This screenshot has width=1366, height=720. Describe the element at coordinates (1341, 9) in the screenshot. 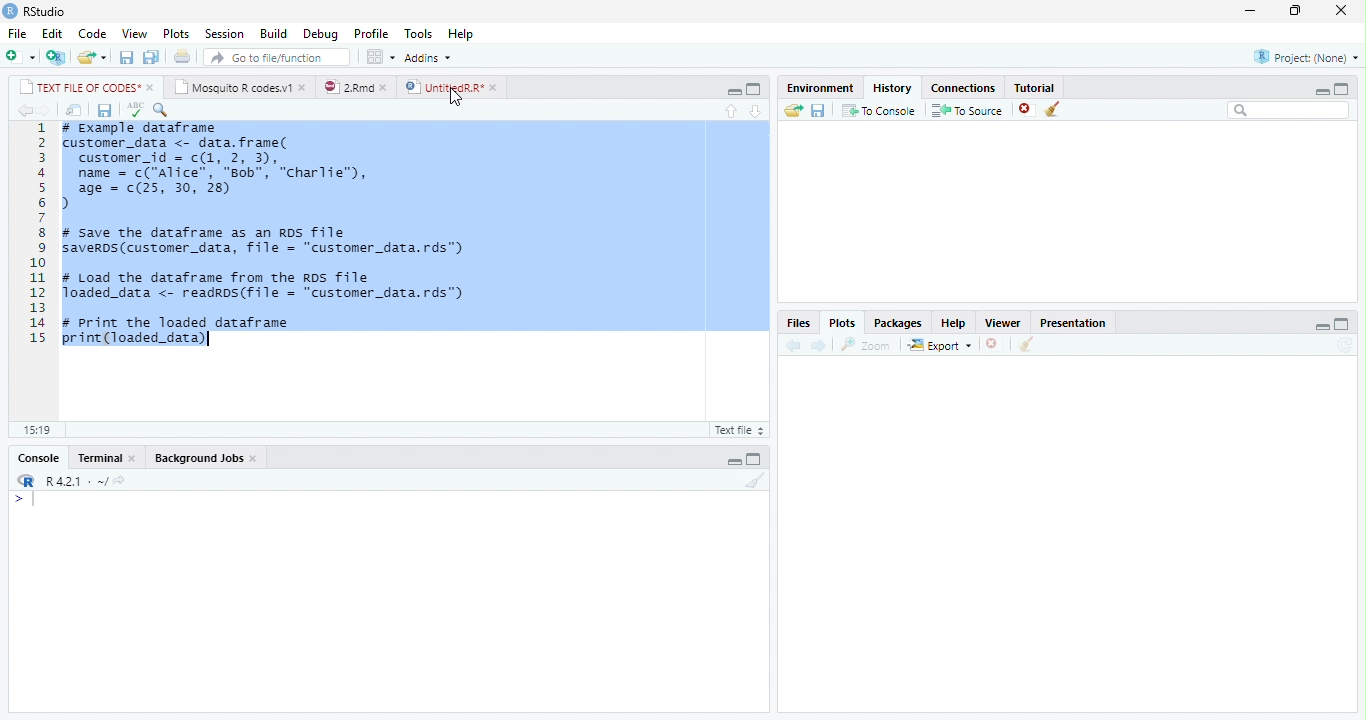

I see `close` at that location.